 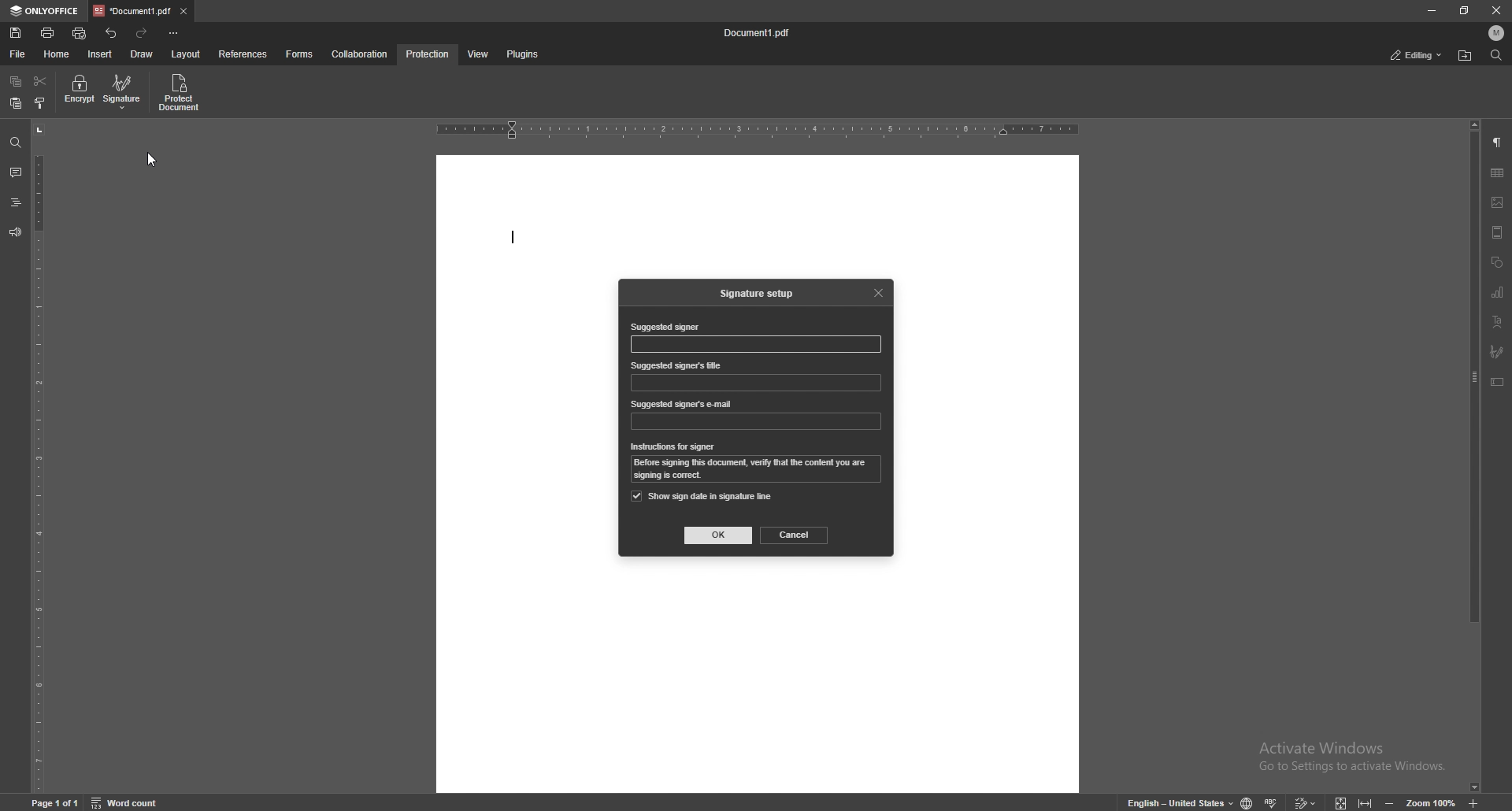 I want to click on encrypt, so click(x=79, y=91).